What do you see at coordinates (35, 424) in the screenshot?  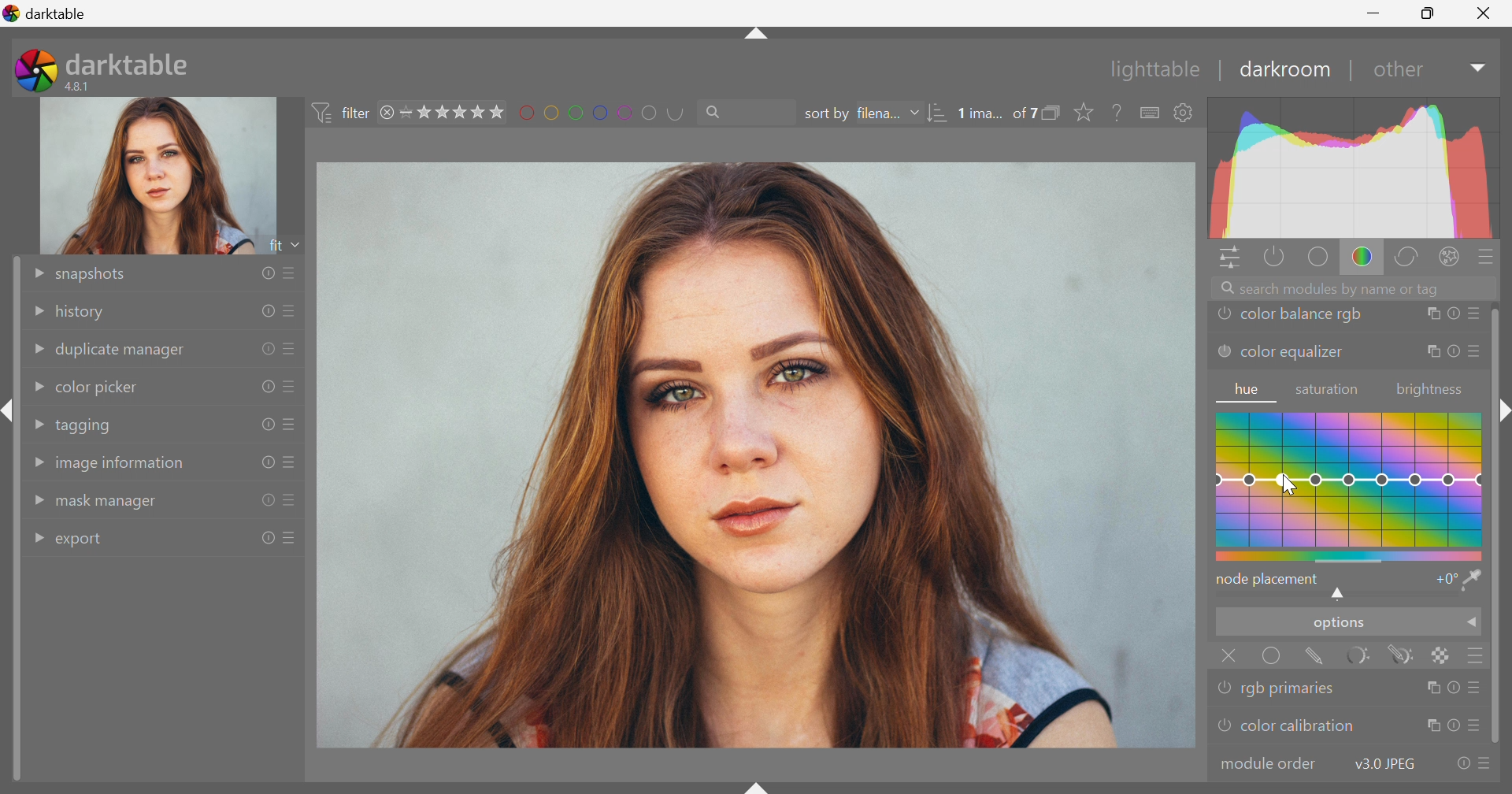 I see `Drop Down` at bounding box center [35, 424].